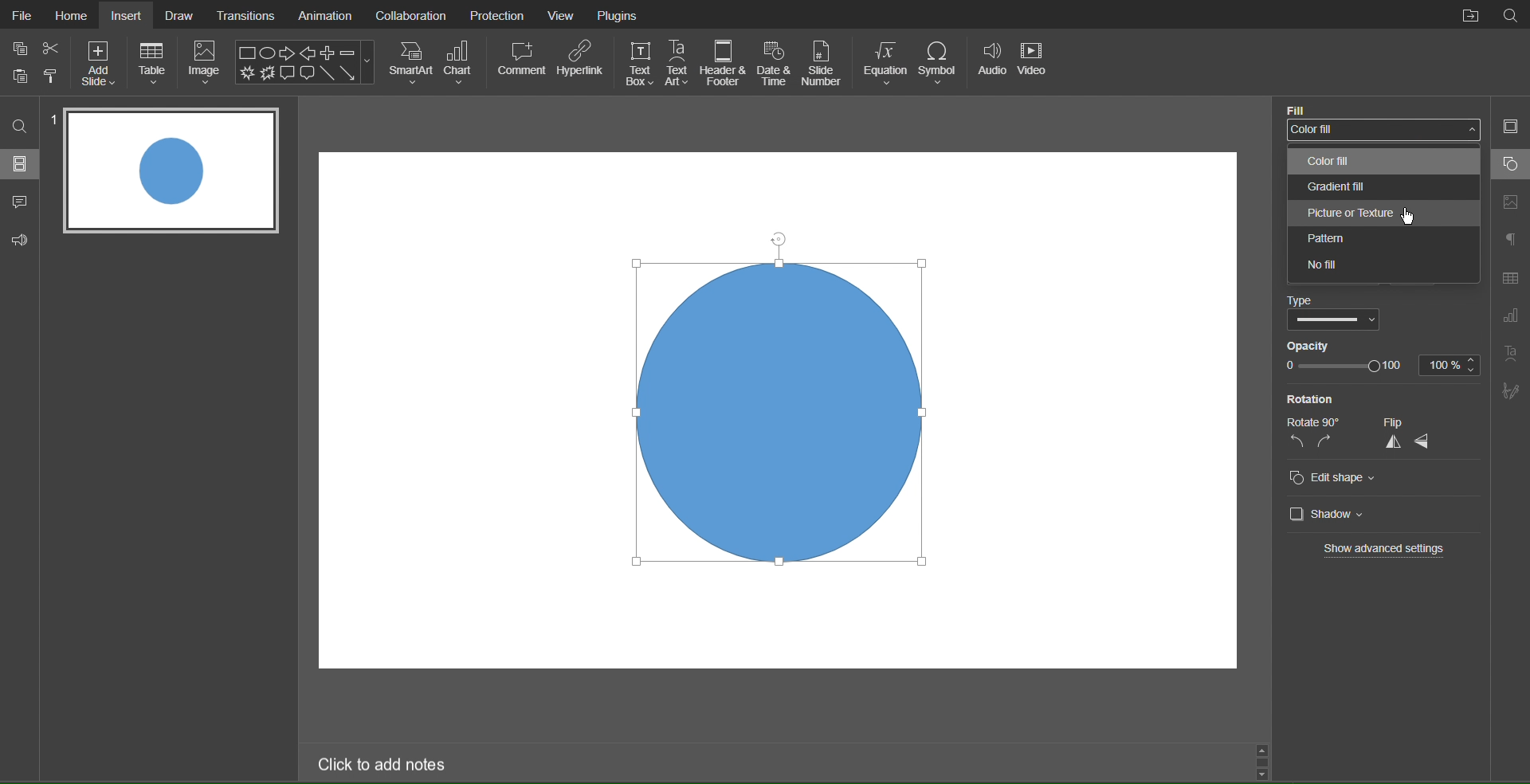 The width and height of the screenshot is (1530, 784). What do you see at coordinates (1379, 163) in the screenshot?
I see `Color fill` at bounding box center [1379, 163].